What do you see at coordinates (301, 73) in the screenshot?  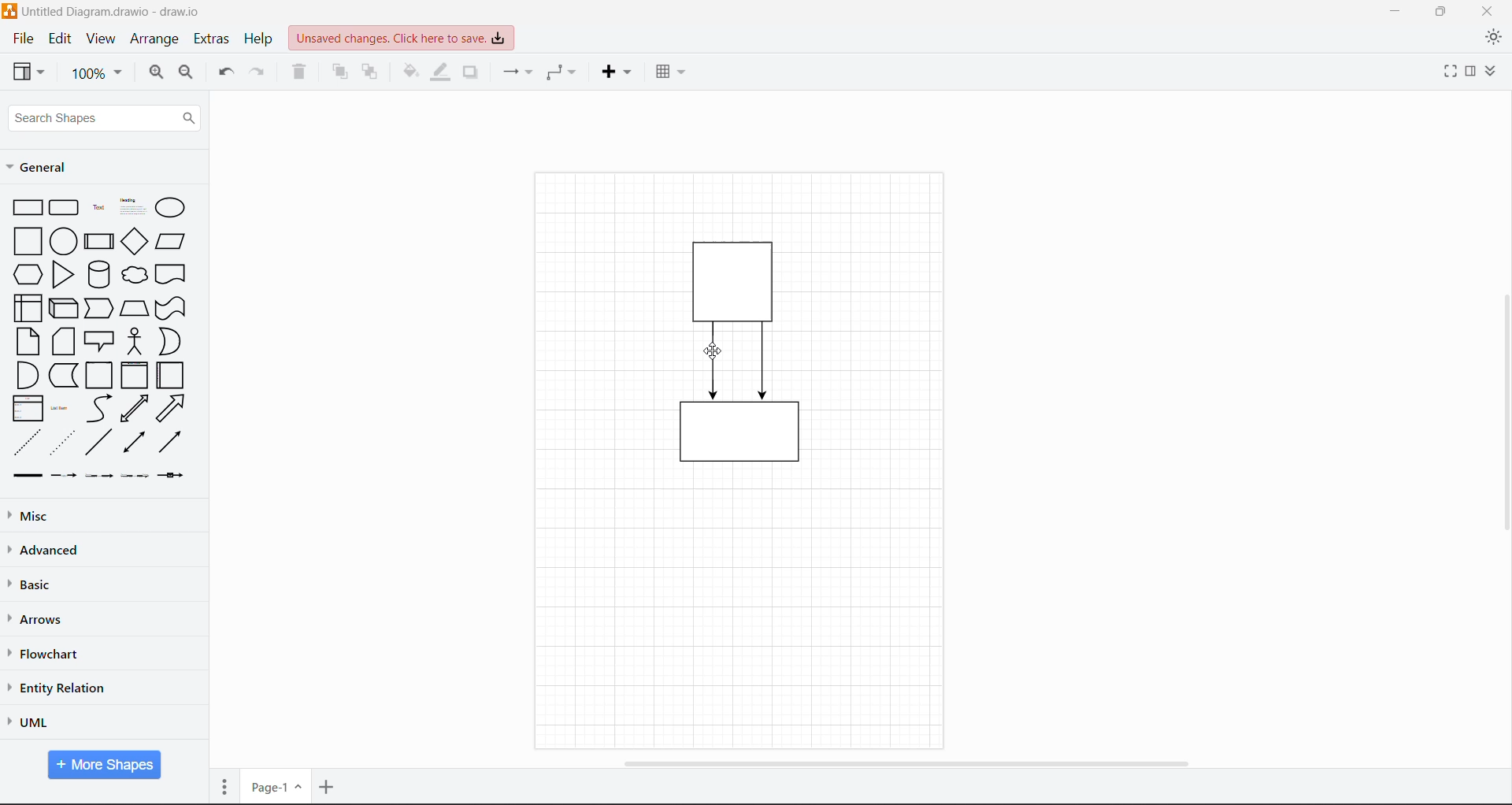 I see `Delete` at bounding box center [301, 73].